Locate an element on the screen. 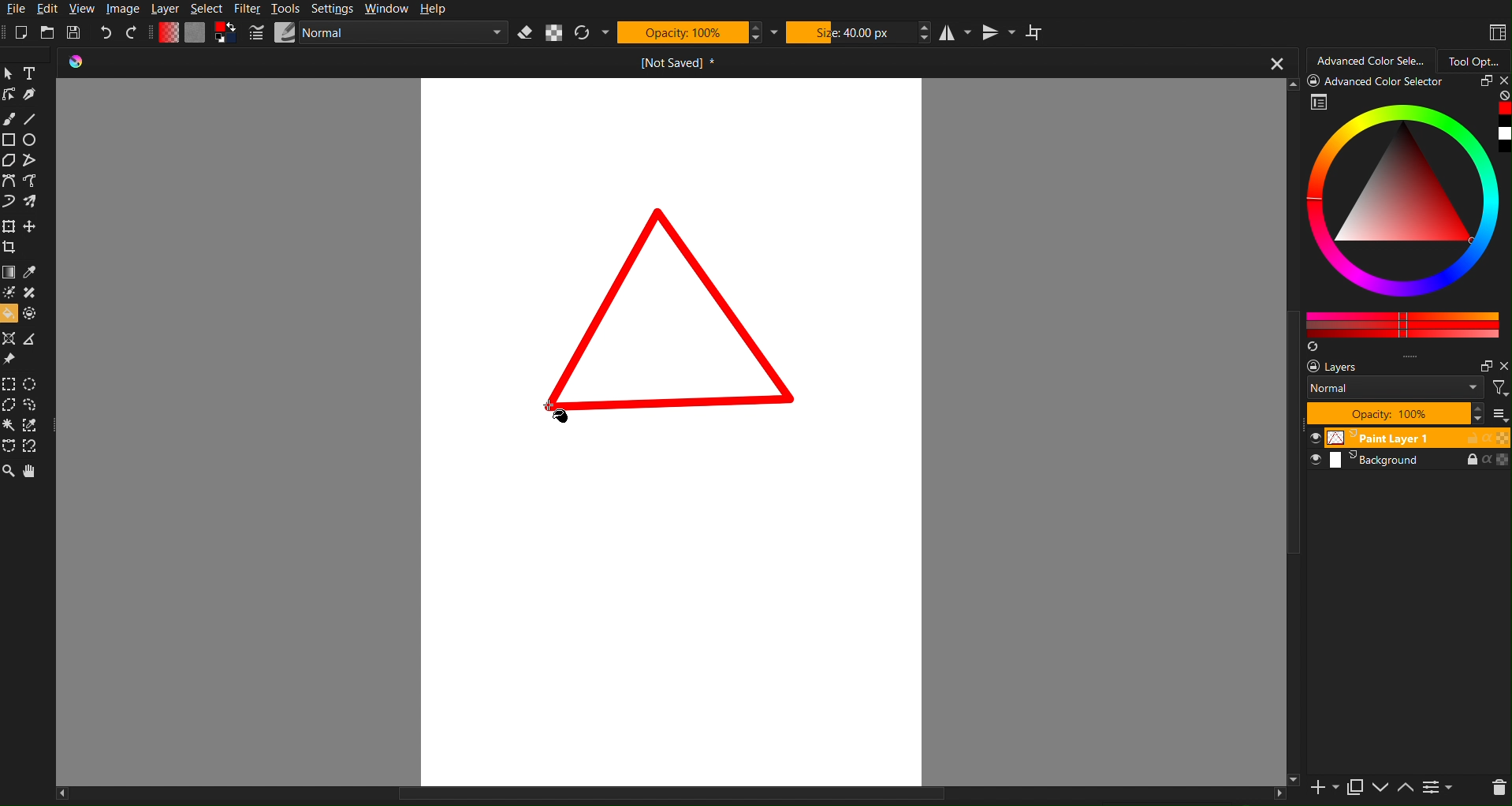  Vertical Mirror is located at coordinates (1000, 32).